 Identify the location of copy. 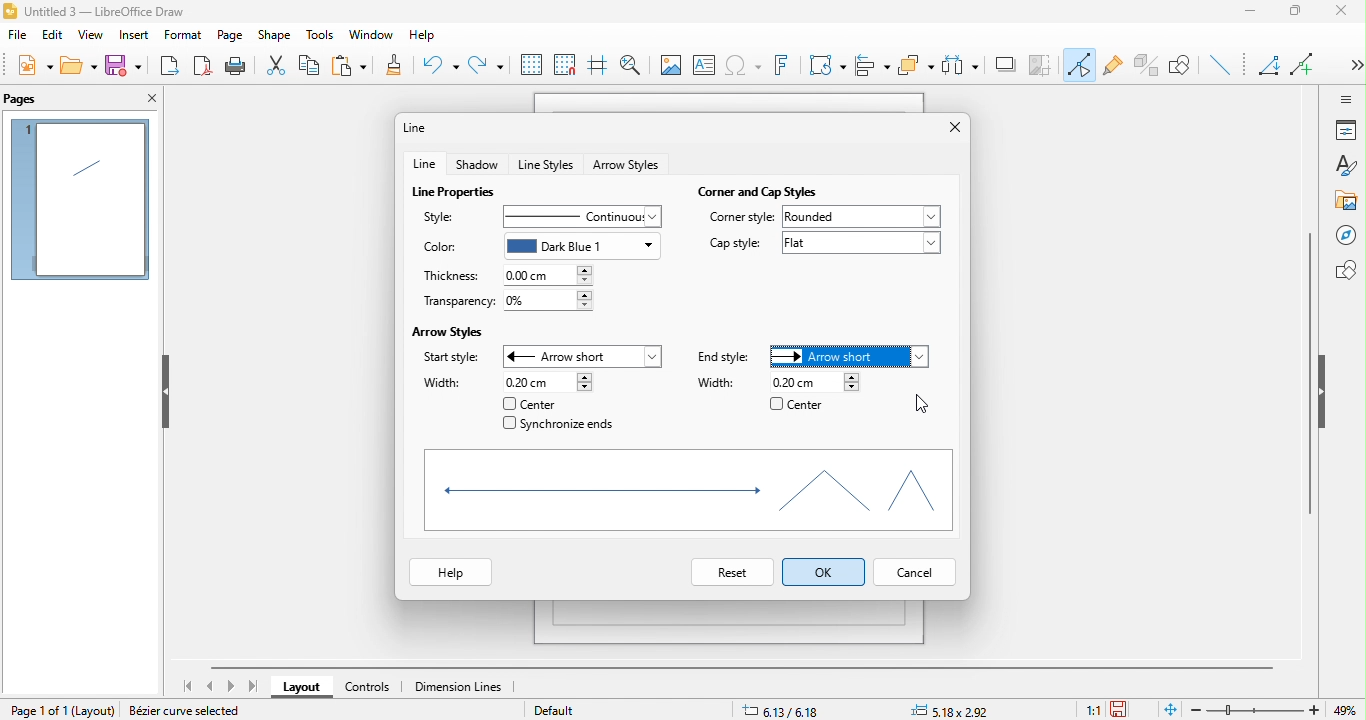
(314, 64).